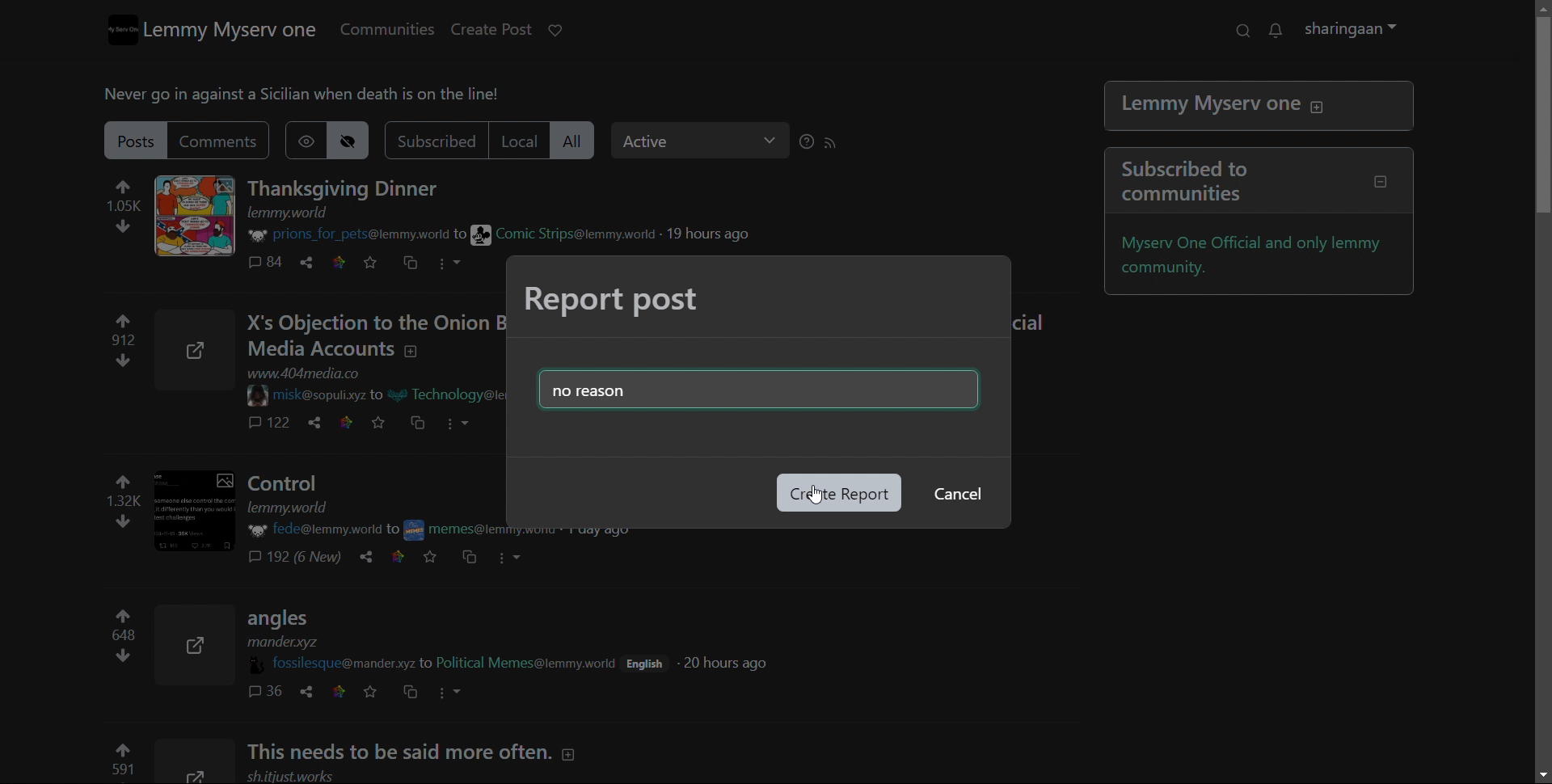 This screenshot has width=1552, height=784. I want to click on Scroll arrow up, so click(1539, 8).